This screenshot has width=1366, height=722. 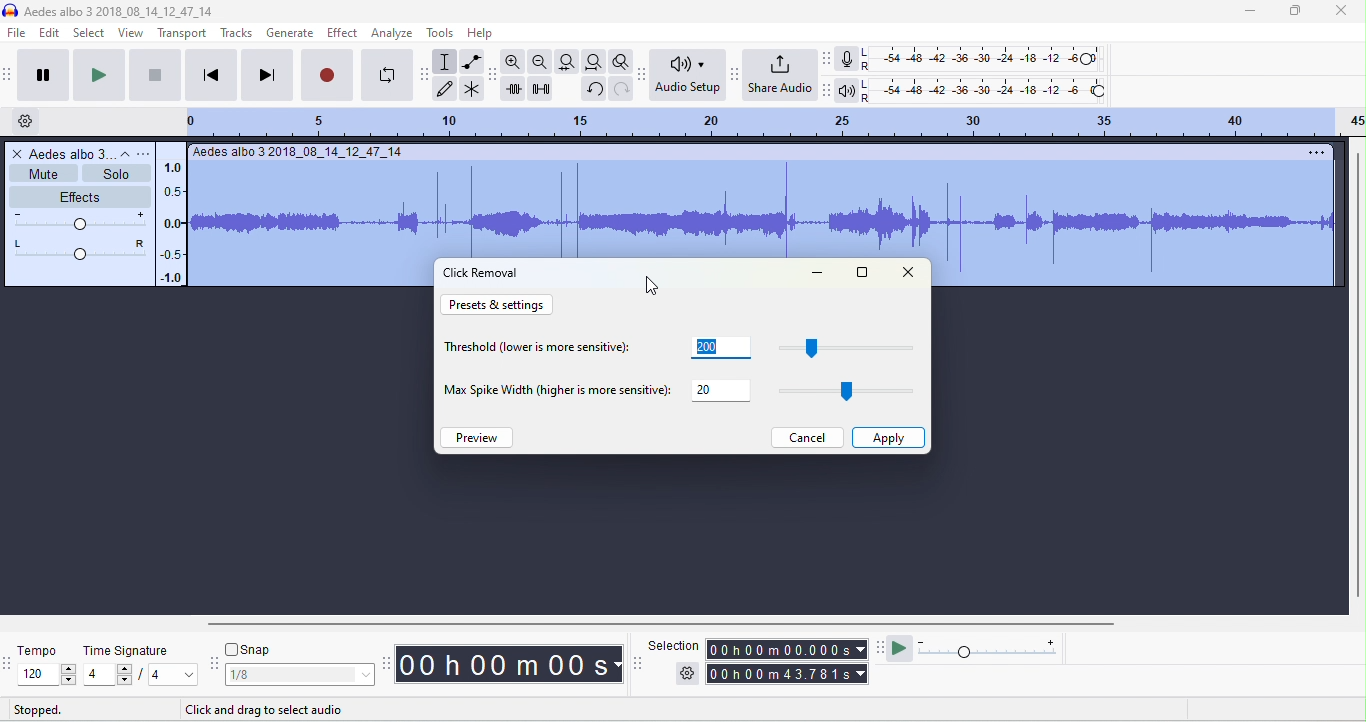 What do you see at coordinates (268, 710) in the screenshot?
I see `click to drag to select audio` at bounding box center [268, 710].